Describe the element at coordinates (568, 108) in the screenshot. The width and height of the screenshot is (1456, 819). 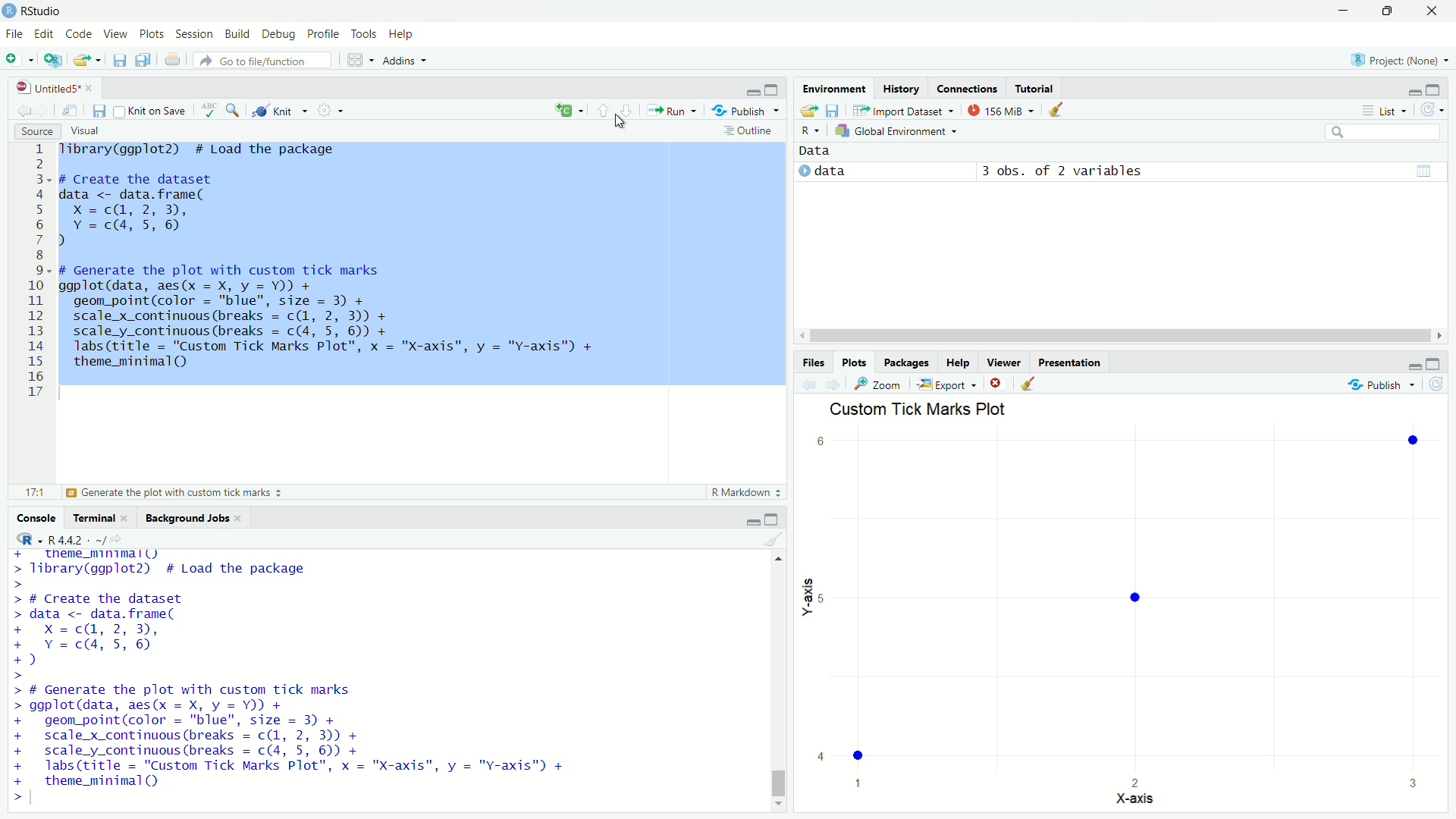
I see `insert a code chunk` at that location.